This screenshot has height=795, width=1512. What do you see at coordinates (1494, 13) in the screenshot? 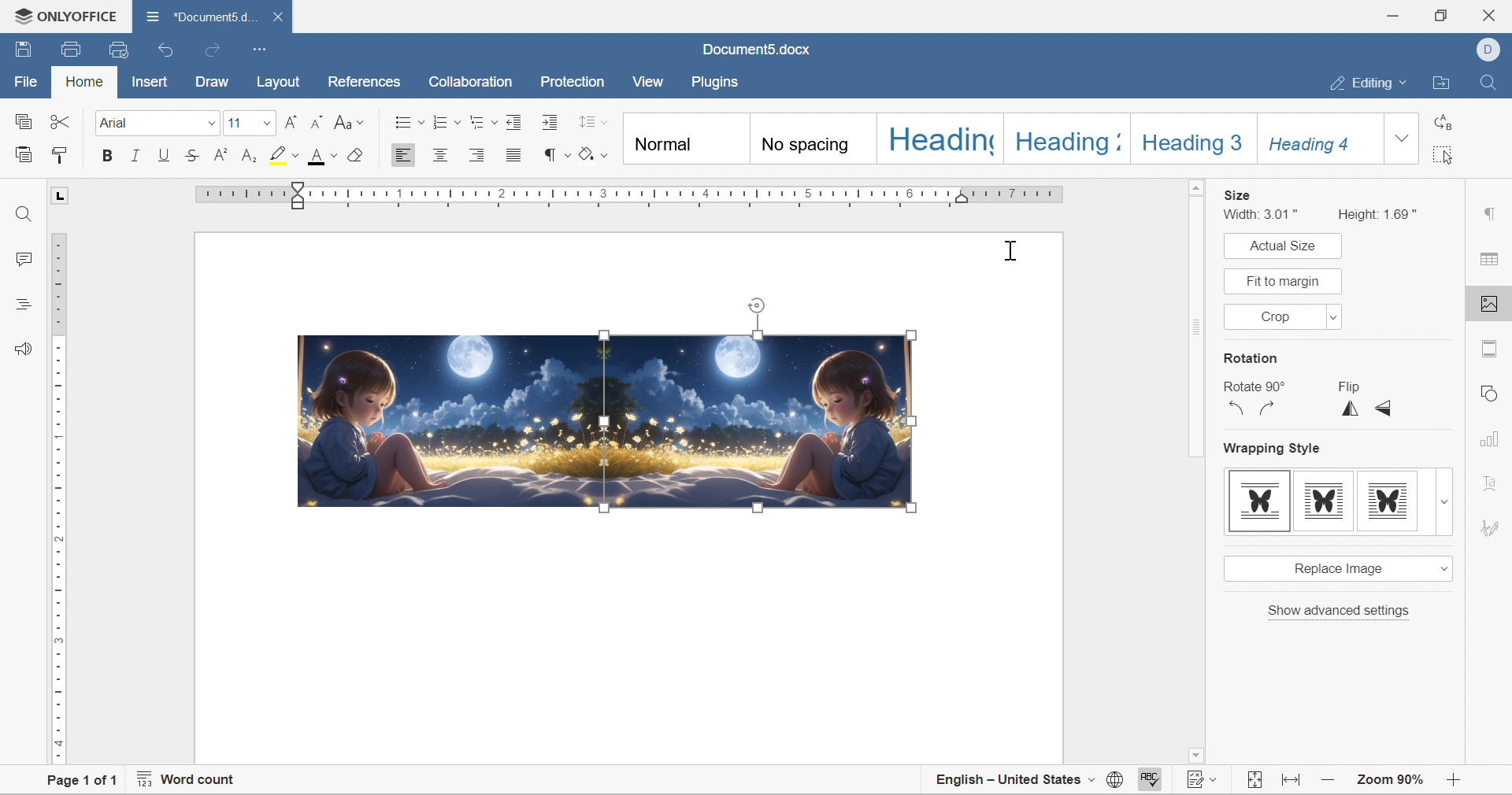
I see `close` at bounding box center [1494, 13].